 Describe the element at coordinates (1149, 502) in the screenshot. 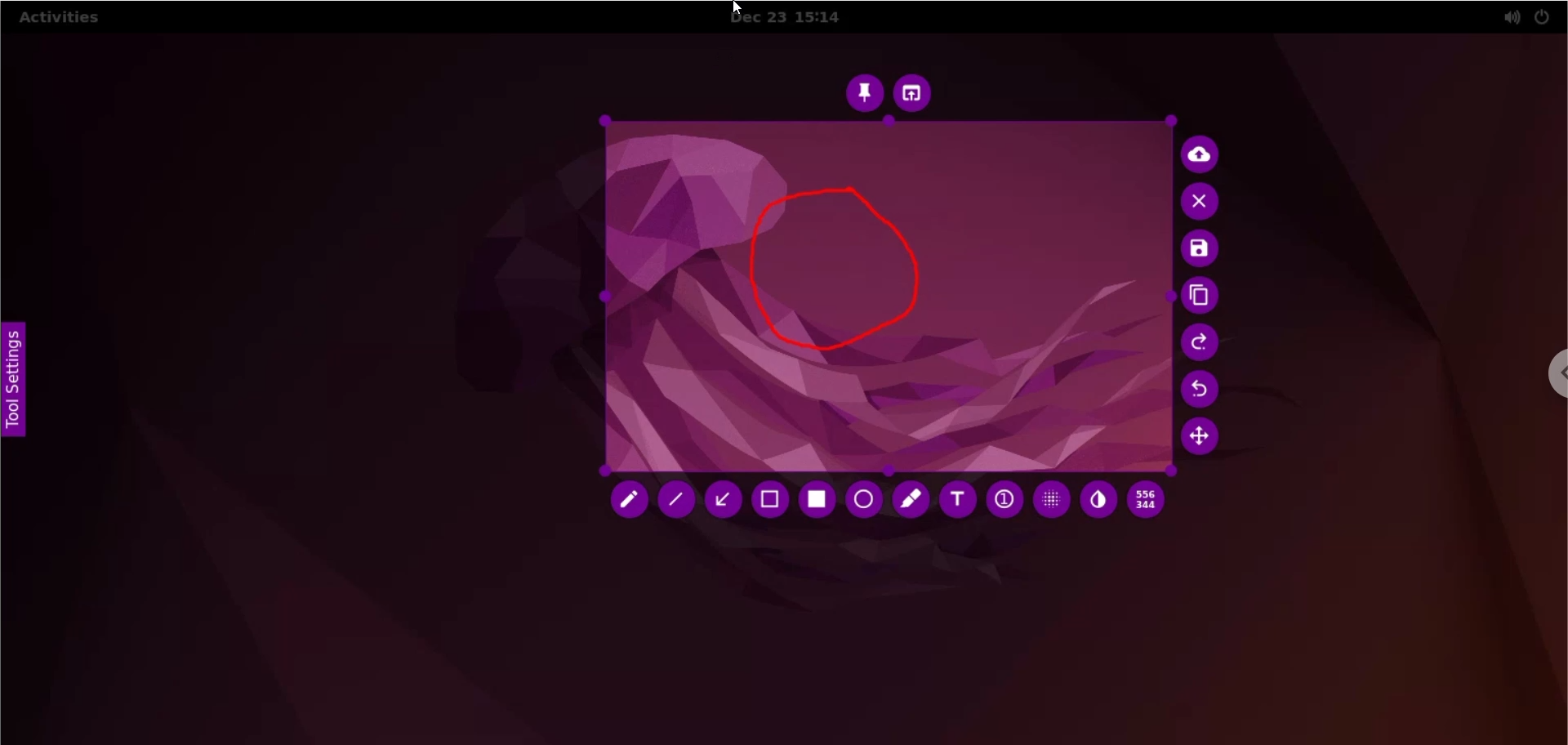

I see `x and y coordinates` at that location.